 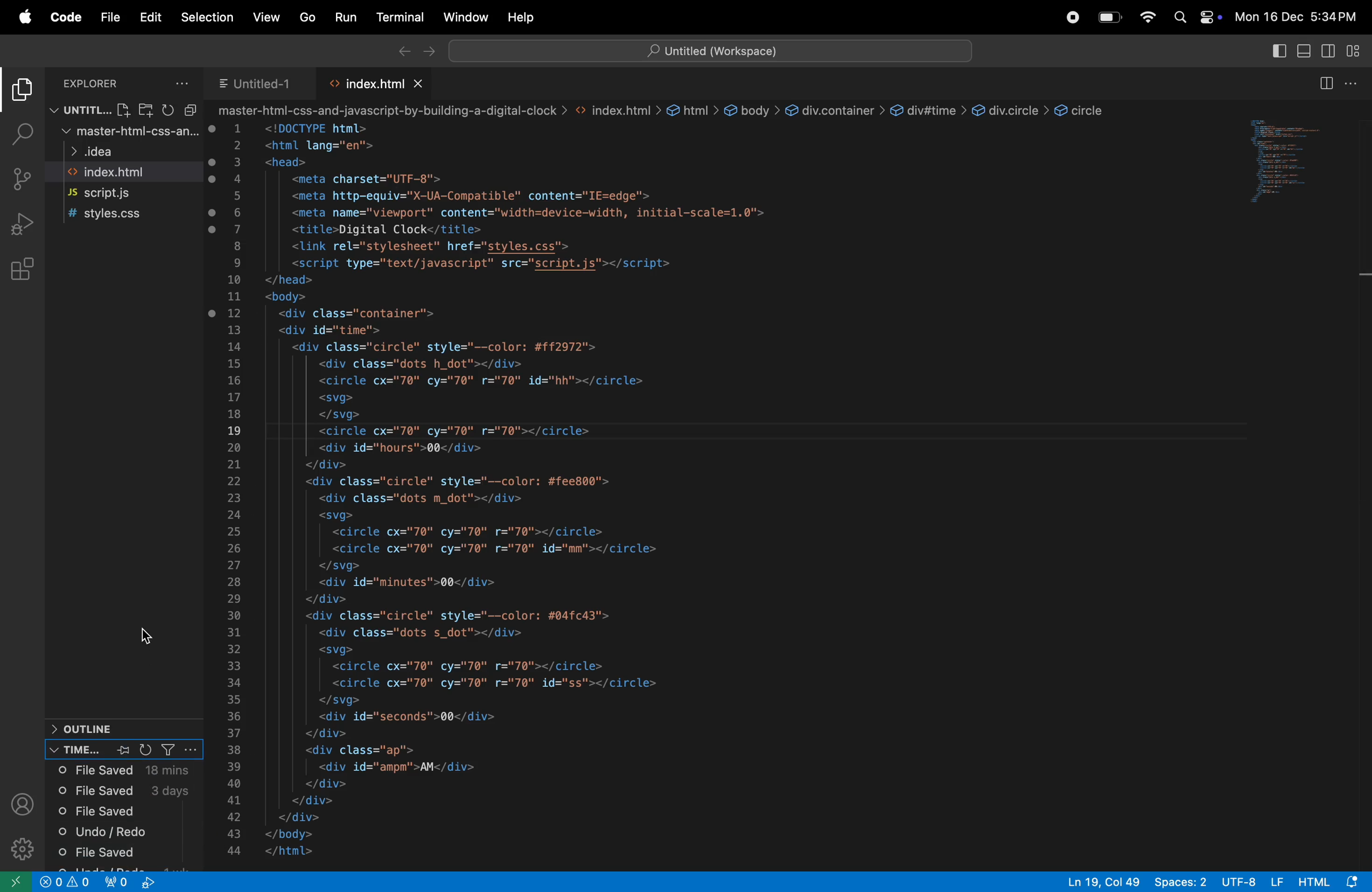 What do you see at coordinates (149, 17) in the screenshot?
I see `Edit` at bounding box center [149, 17].